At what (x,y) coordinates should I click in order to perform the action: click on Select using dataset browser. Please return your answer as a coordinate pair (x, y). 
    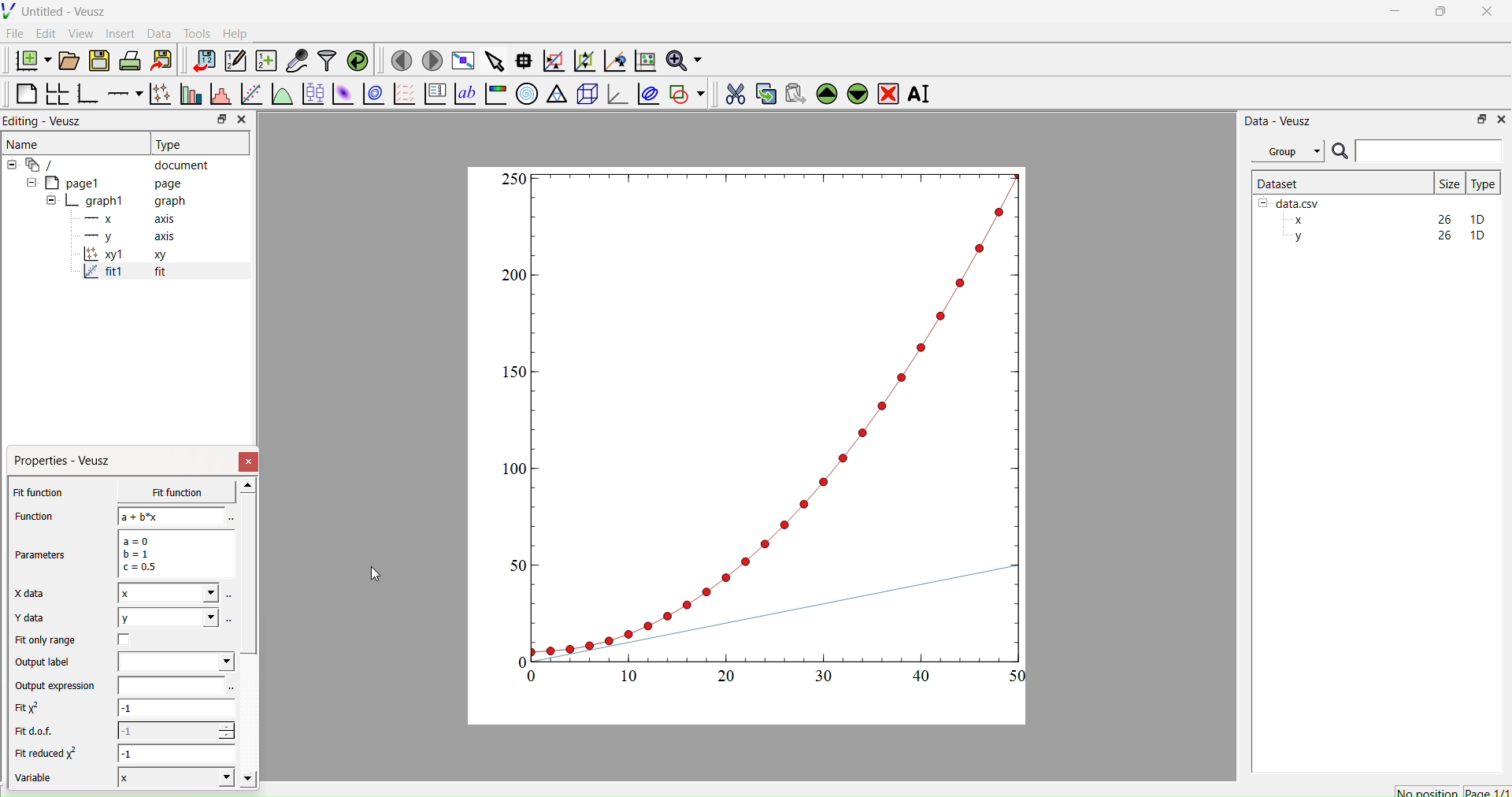
    Looking at the image, I should click on (232, 689).